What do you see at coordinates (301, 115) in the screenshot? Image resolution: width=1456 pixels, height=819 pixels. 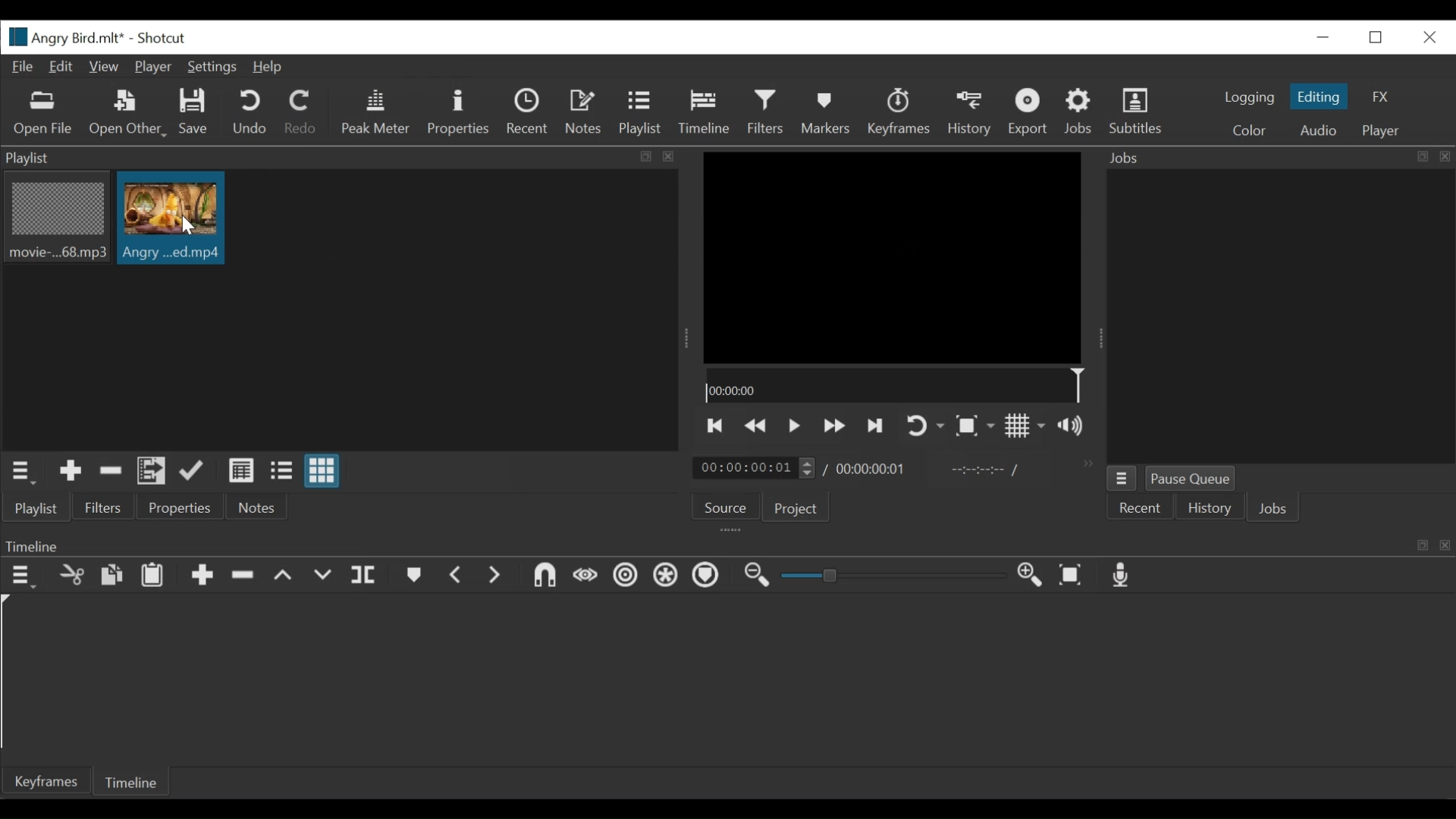 I see `Redo` at bounding box center [301, 115].